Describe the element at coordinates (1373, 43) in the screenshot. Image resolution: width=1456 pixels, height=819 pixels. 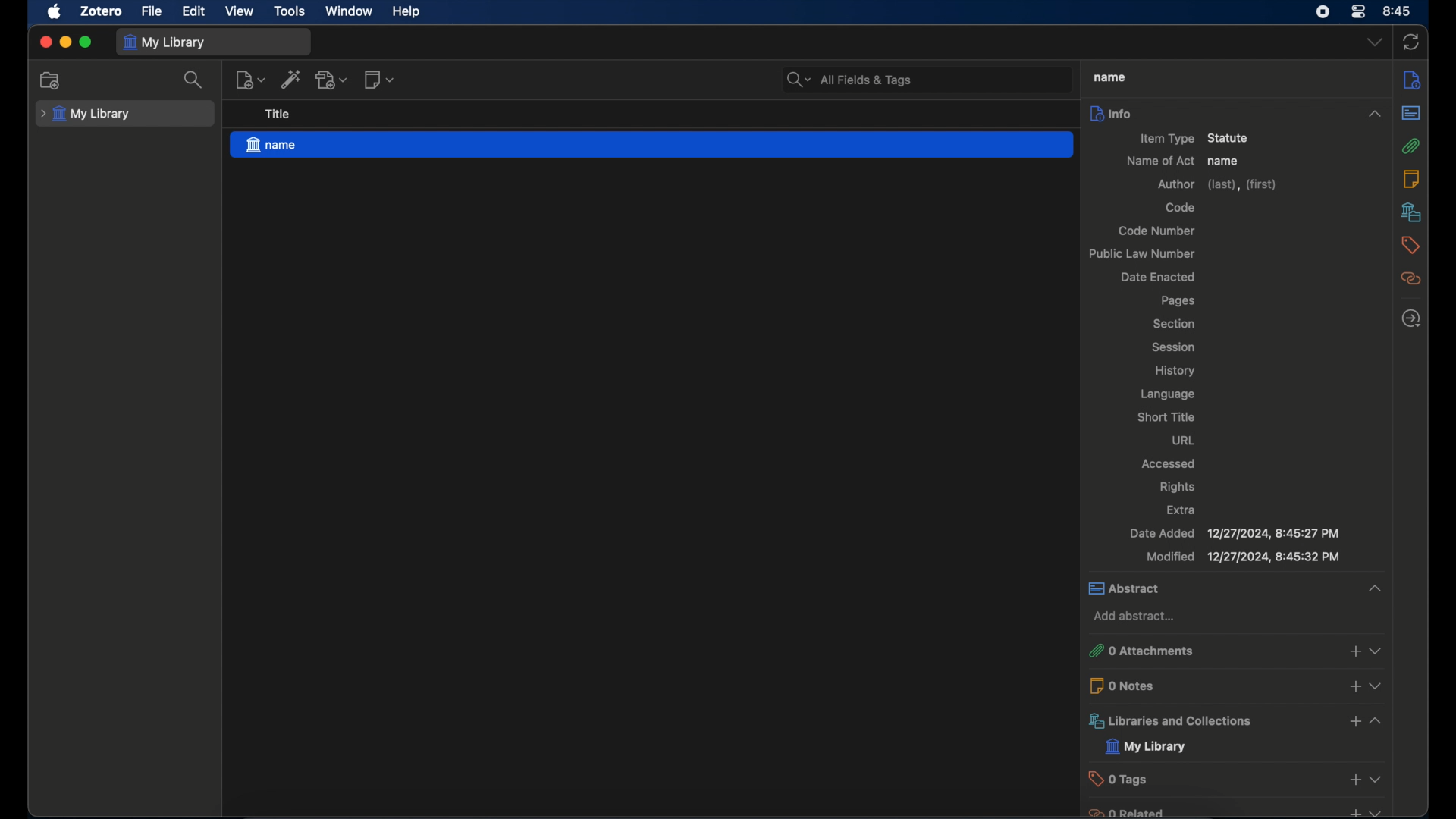
I see `dropdown` at that location.